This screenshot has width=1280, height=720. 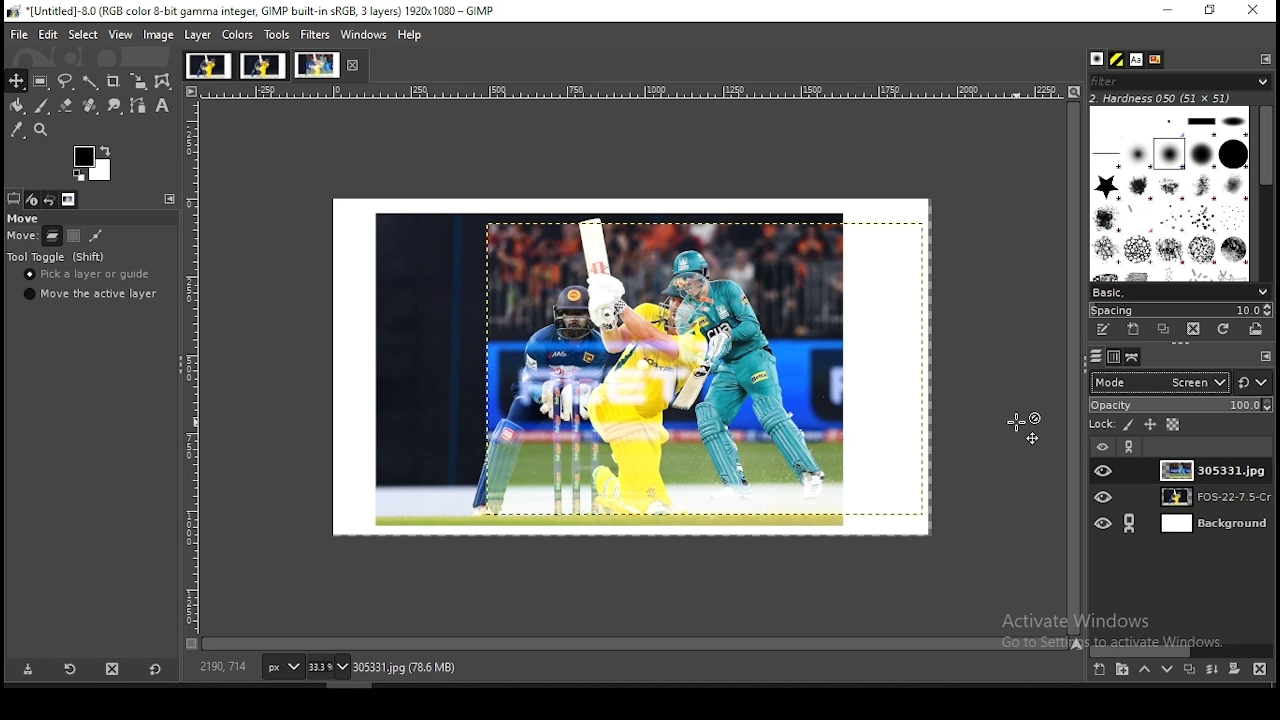 What do you see at coordinates (254, 10) in the screenshot?
I see `icon and filename` at bounding box center [254, 10].